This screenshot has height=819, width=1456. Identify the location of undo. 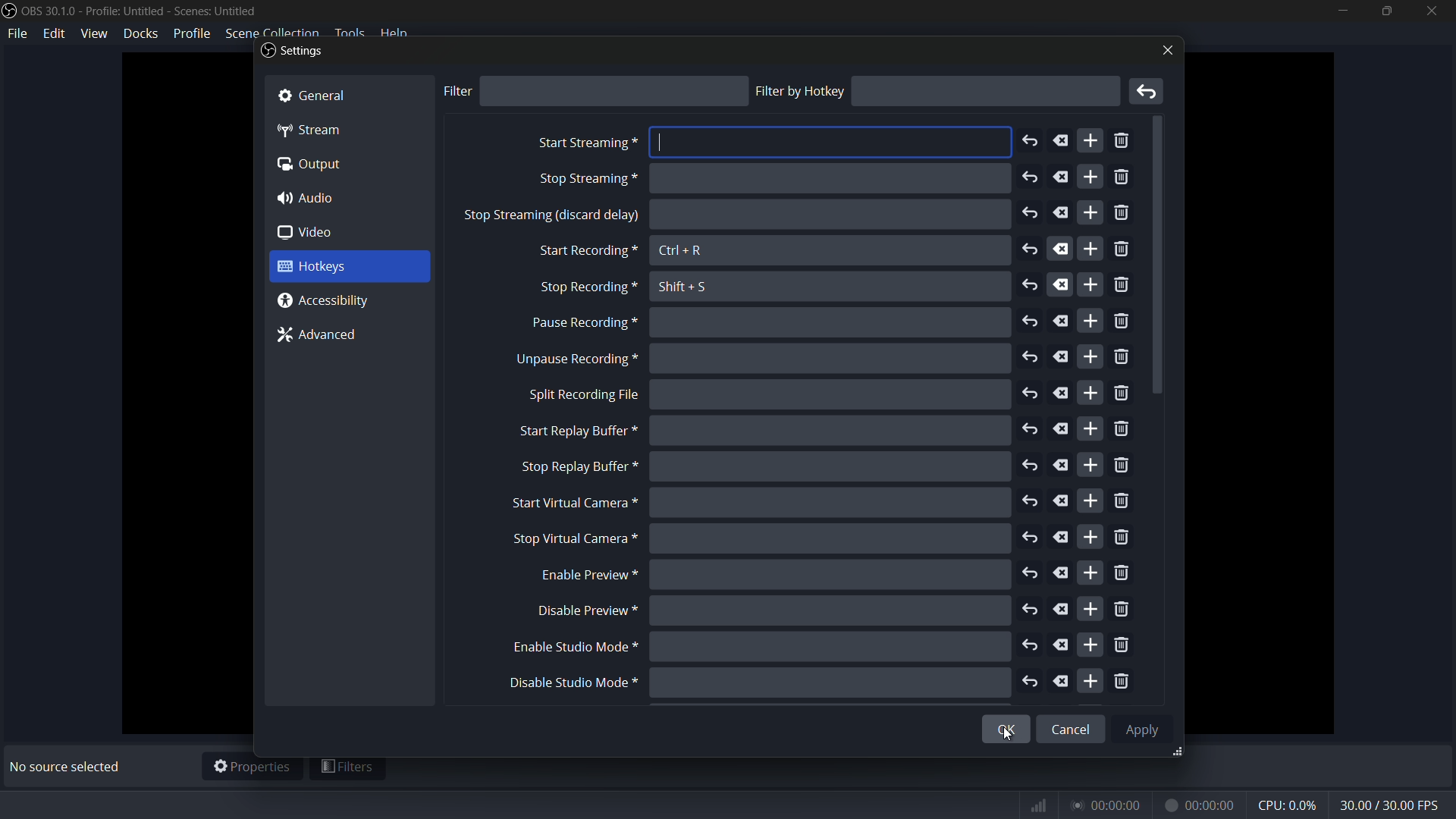
(1031, 358).